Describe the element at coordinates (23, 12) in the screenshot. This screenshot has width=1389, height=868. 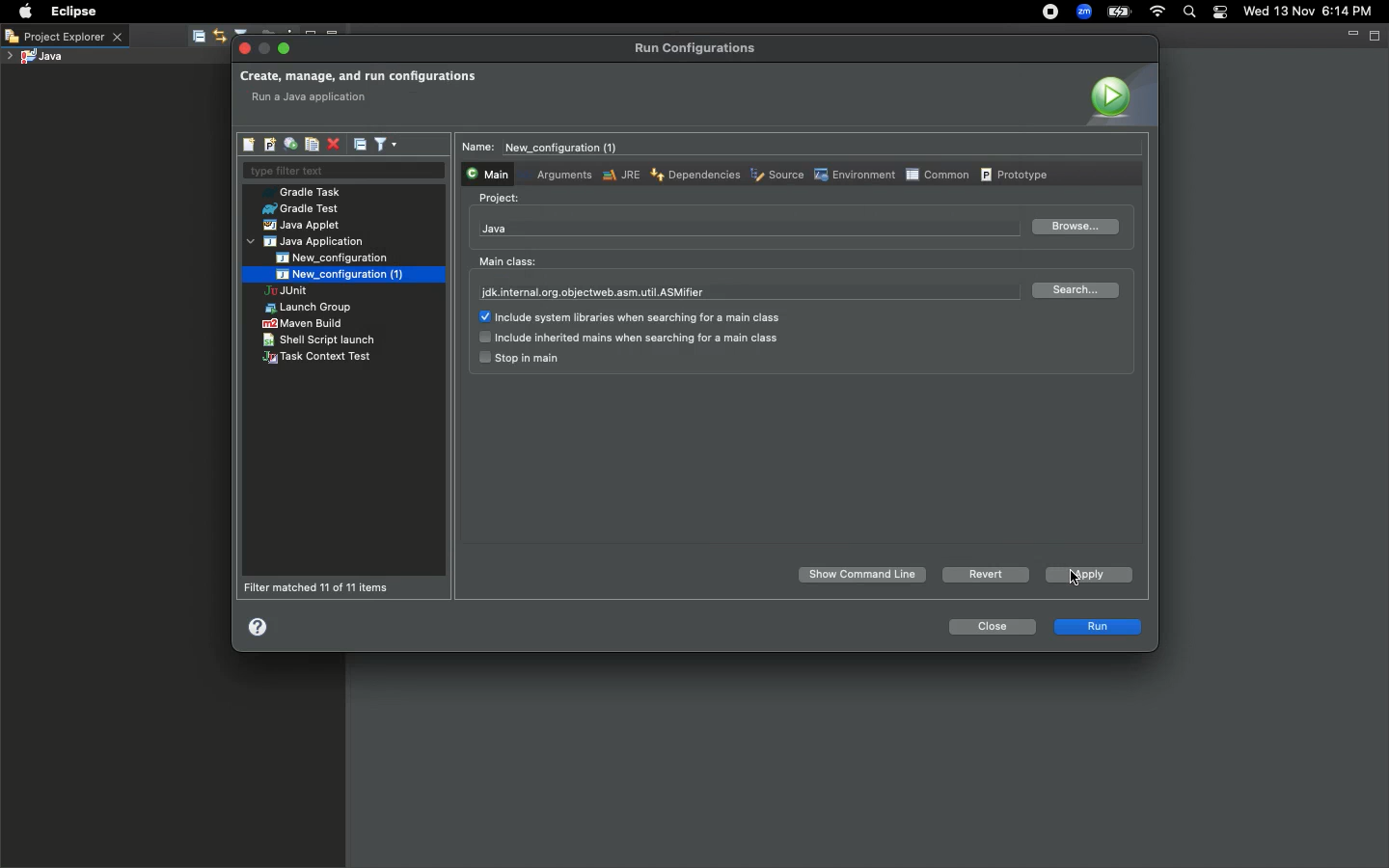
I see `Apple logo` at that location.